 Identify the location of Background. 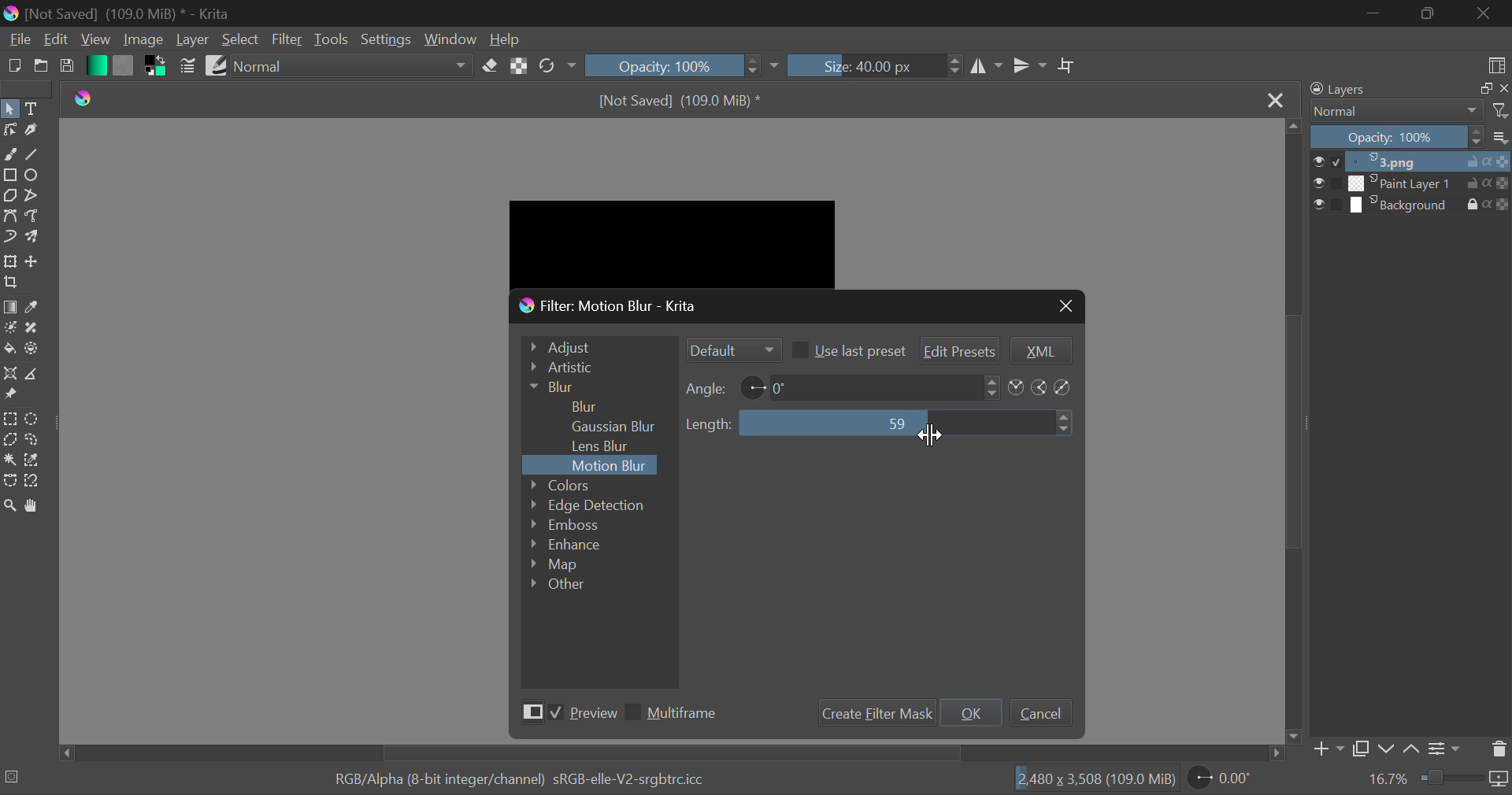
(1411, 205).